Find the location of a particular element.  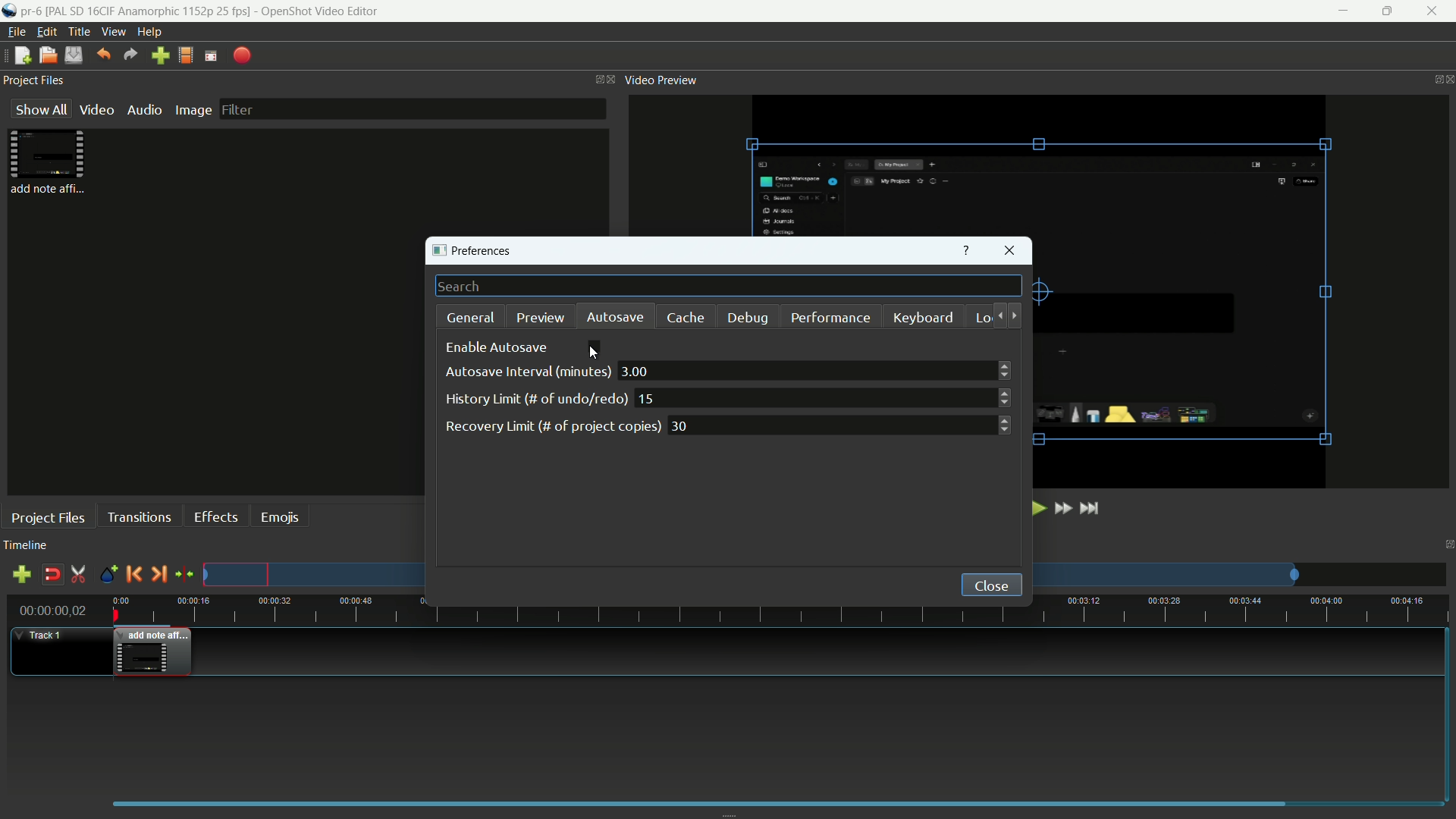

get help is located at coordinates (968, 250).